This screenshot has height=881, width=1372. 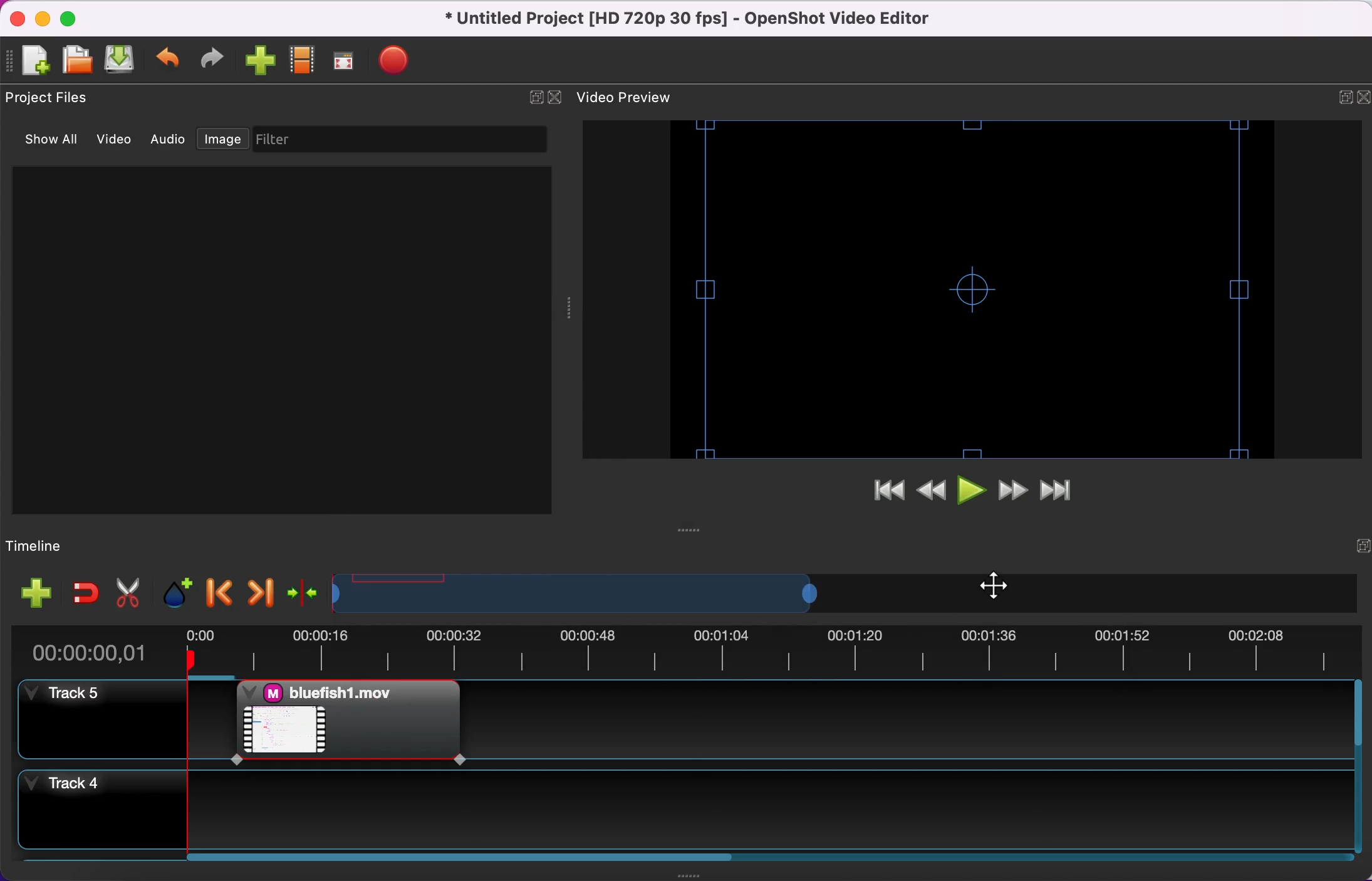 What do you see at coordinates (176, 593) in the screenshot?
I see `add marker` at bounding box center [176, 593].